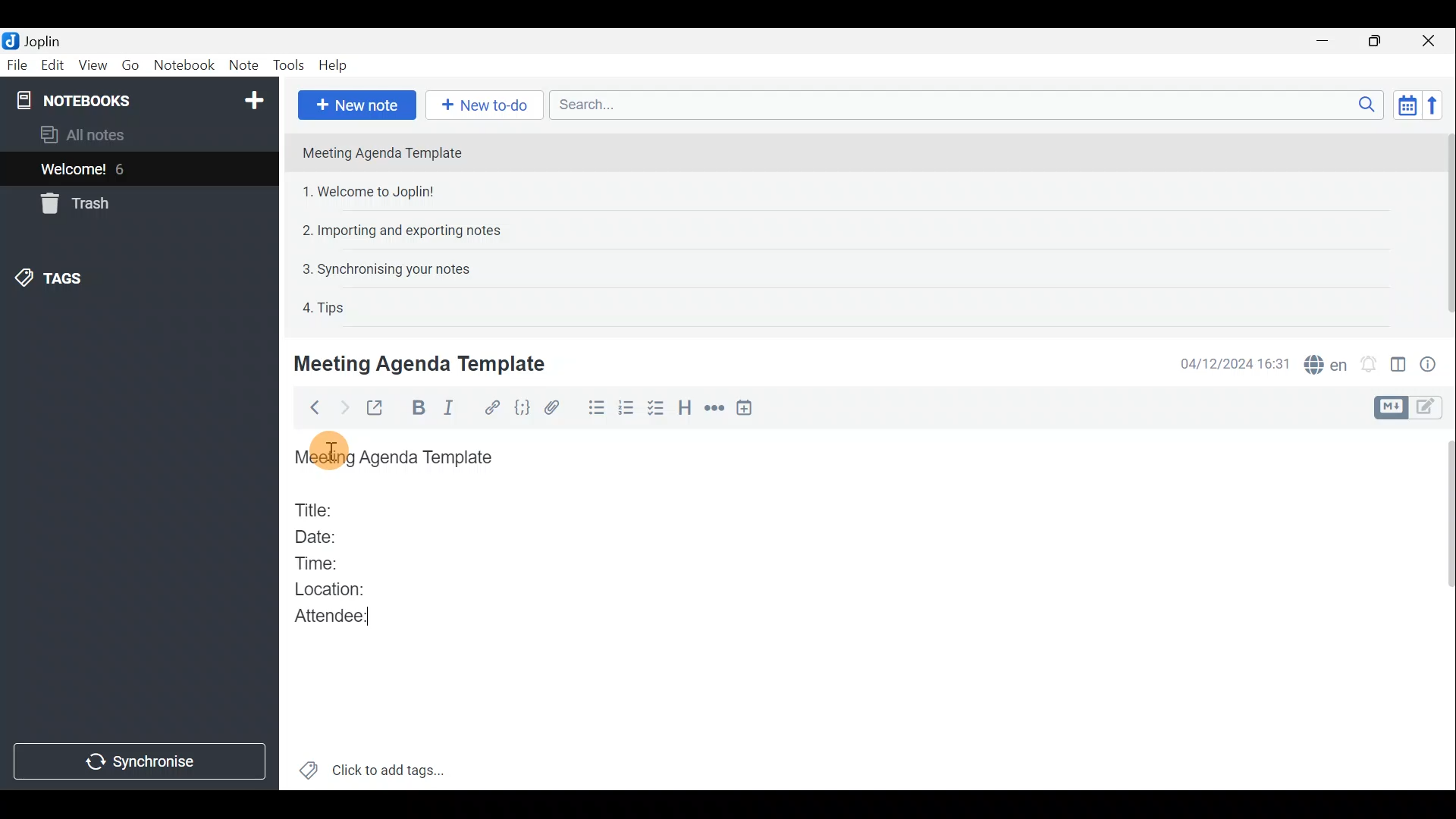 The image size is (1456, 819). Describe the element at coordinates (42, 40) in the screenshot. I see `Joplin` at that location.